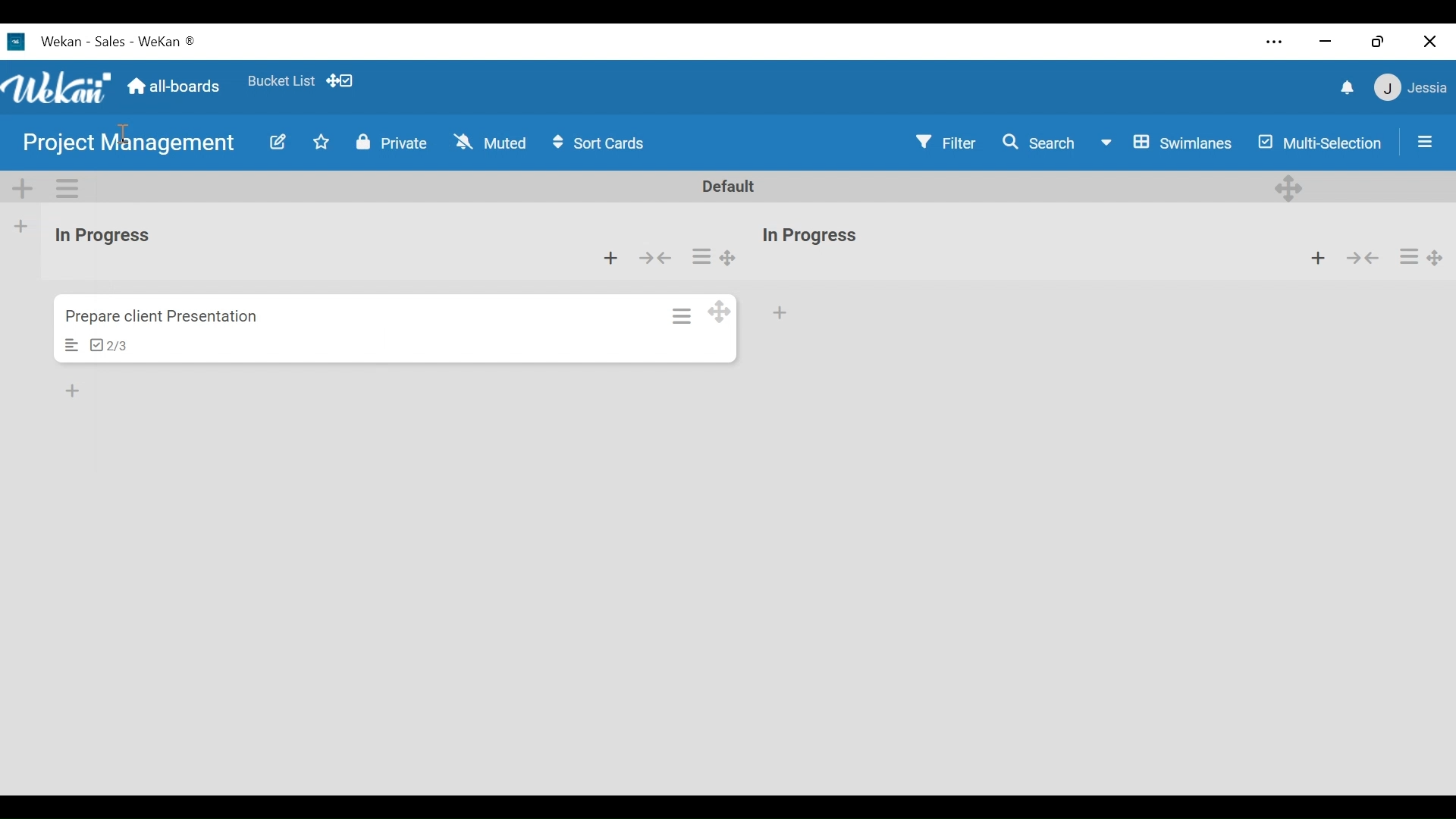 The height and width of the screenshot is (819, 1456). What do you see at coordinates (340, 80) in the screenshot?
I see `Show desktop drag handle` at bounding box center [340, 80].